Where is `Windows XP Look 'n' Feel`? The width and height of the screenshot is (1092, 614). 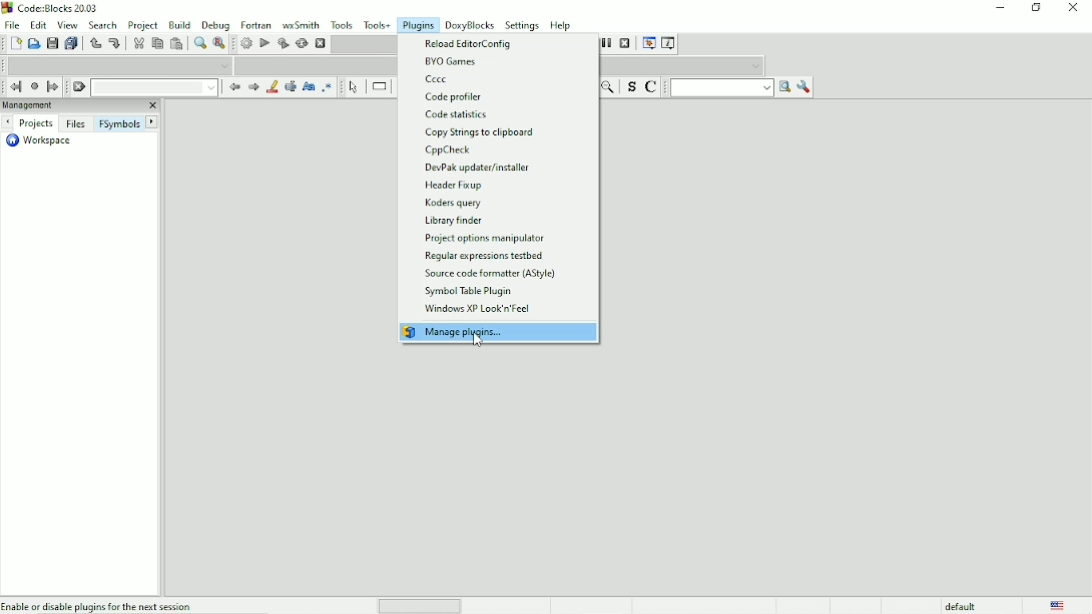
Windows XP Look 'n' Feel is located at coordinates (478, 309).